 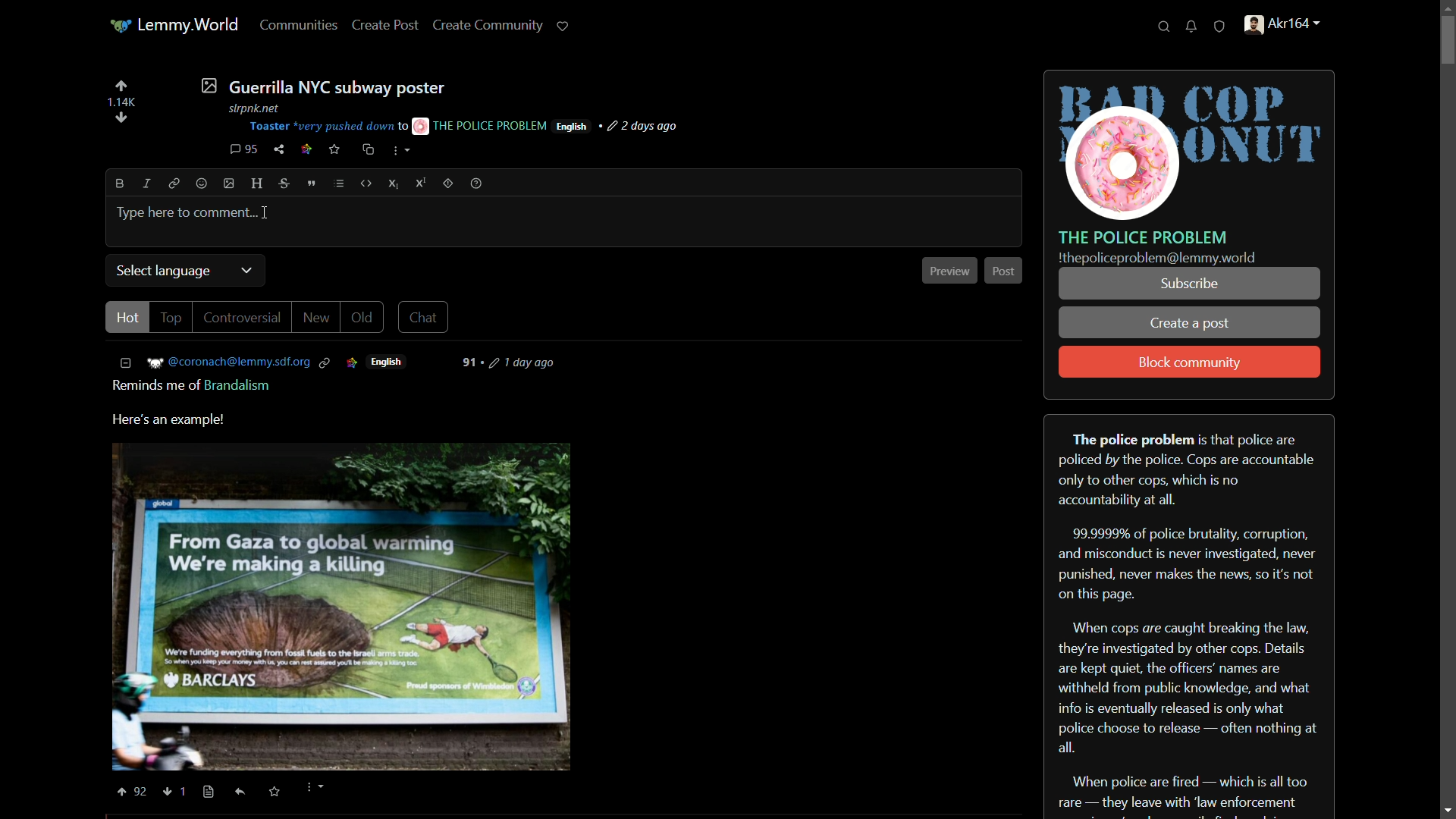 I want to click on create post, so click(x=388, y=24).